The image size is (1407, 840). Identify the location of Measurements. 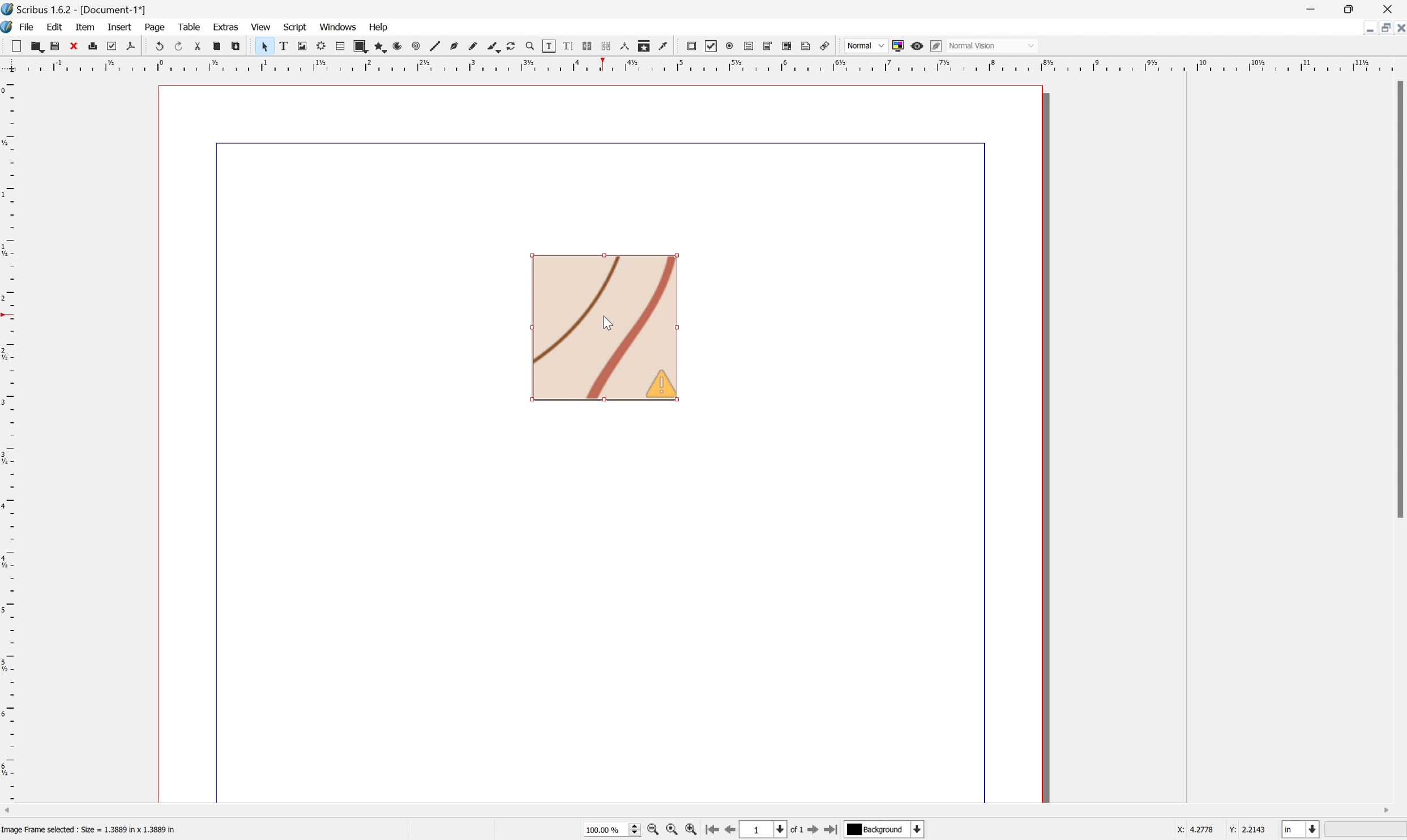
(628, 46).